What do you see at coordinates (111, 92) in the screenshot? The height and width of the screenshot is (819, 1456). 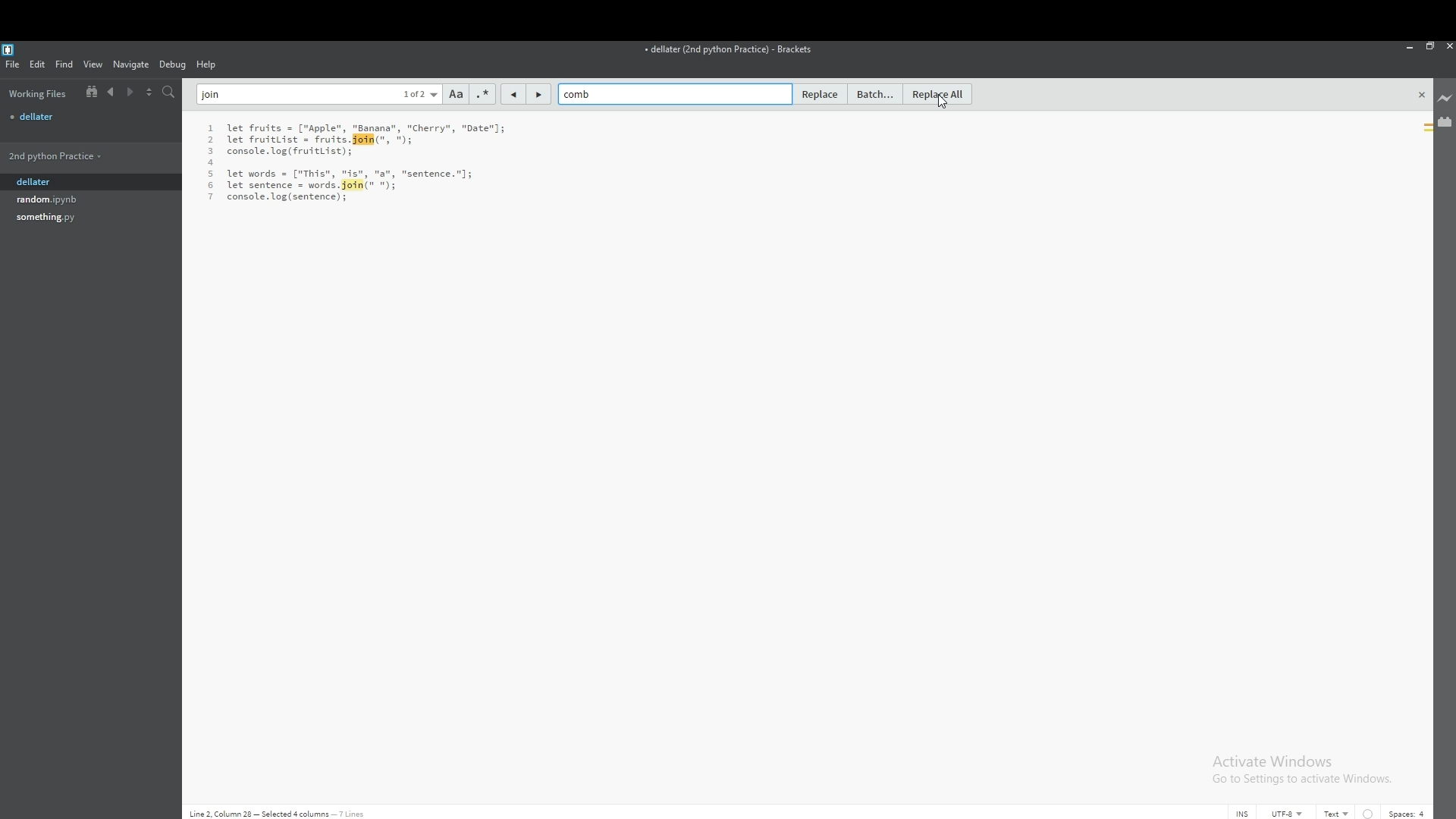 I see `previous` at bounding box center [111, 92].